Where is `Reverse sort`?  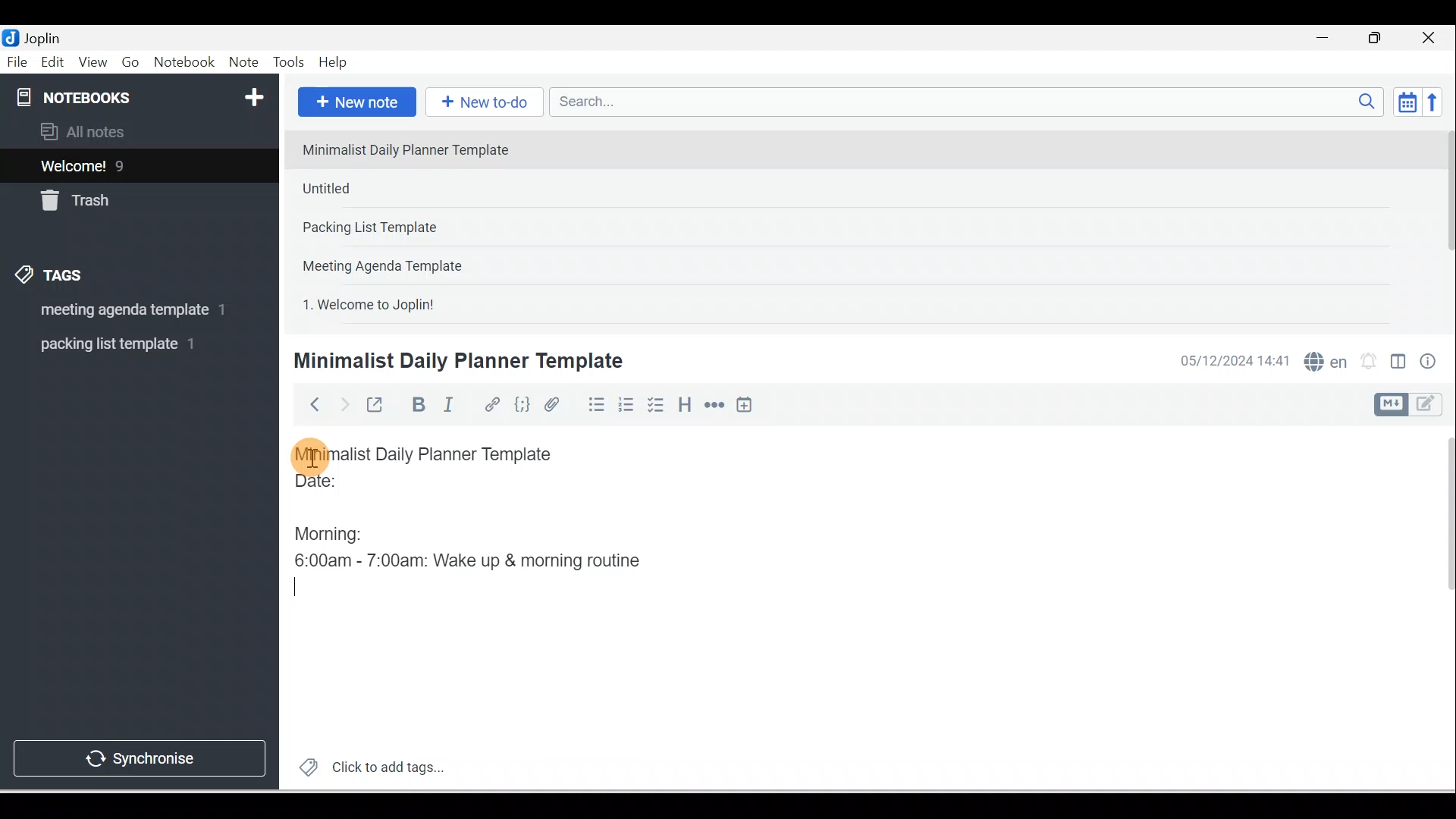
Reverse sort is located at coordinates (1437, 102).